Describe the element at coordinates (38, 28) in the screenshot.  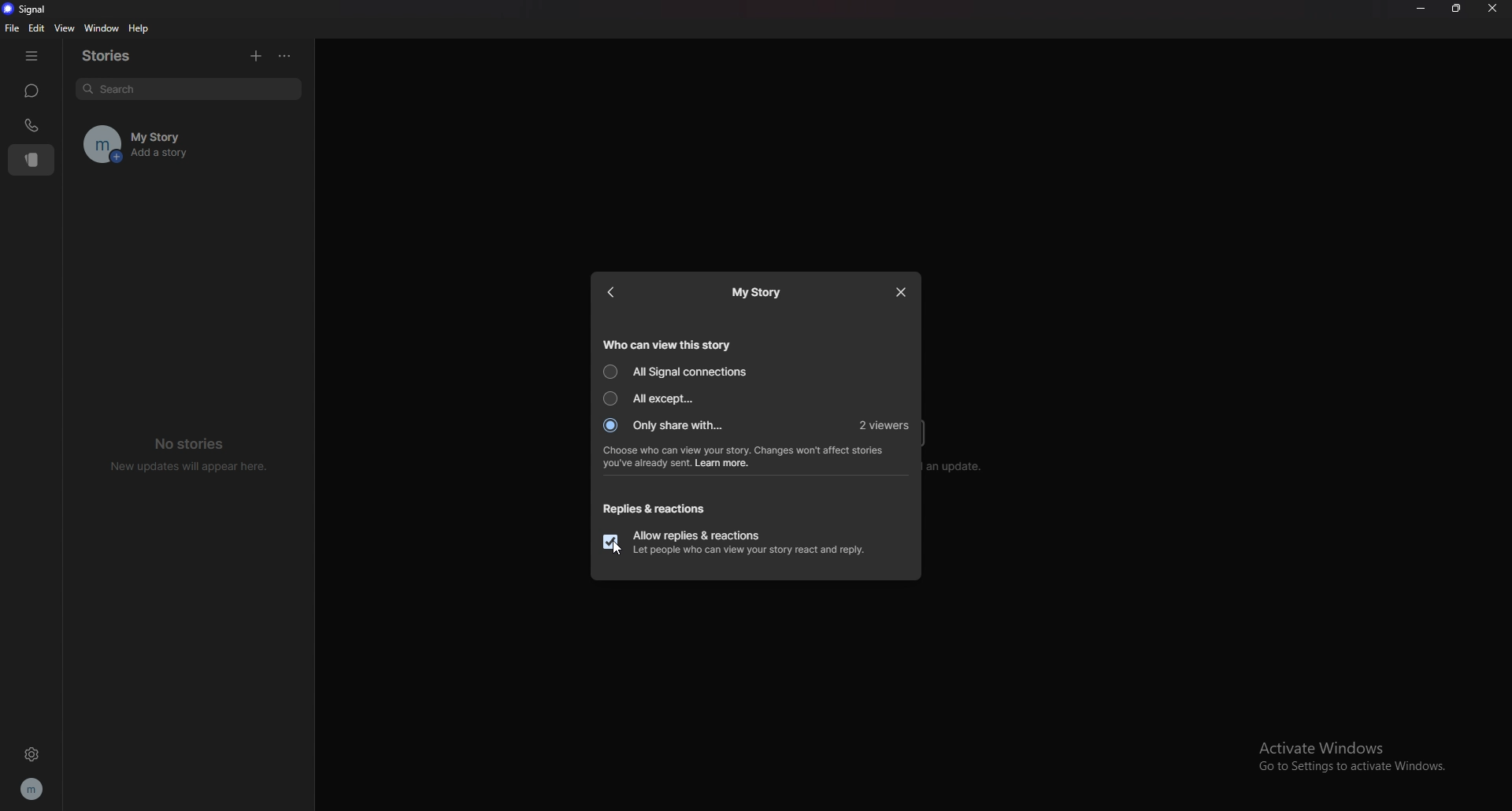
I see `edit` at that location.